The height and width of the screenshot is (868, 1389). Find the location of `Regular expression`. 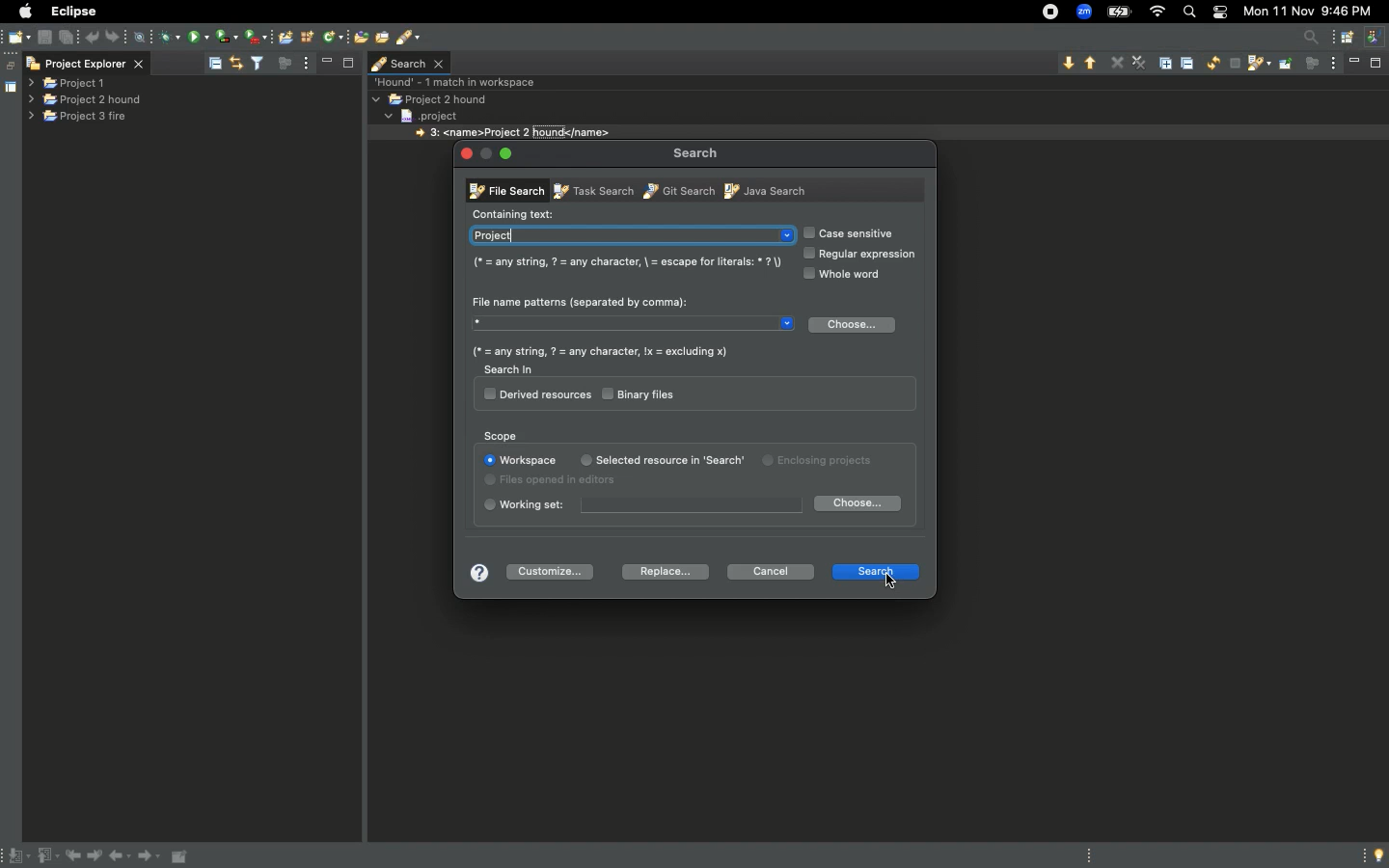

Regular expression is located at coordinates (862, 255).